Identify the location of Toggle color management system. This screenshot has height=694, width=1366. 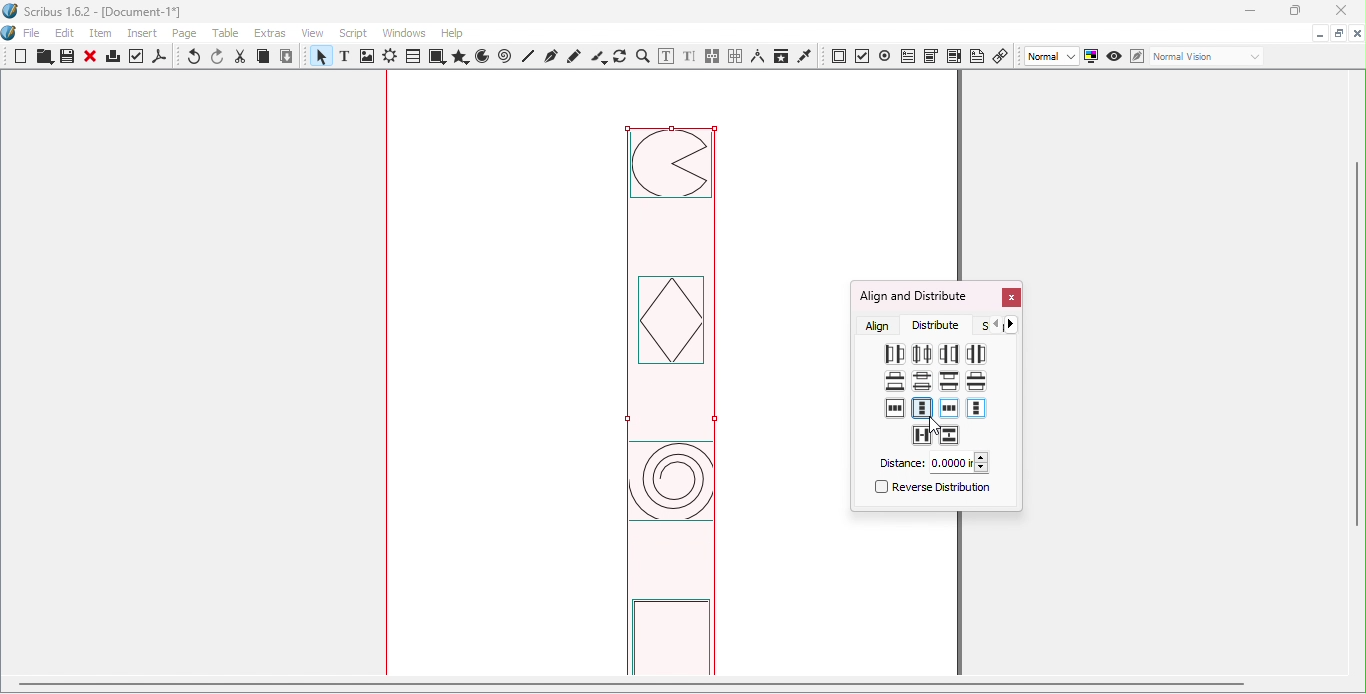
(1092, 55).